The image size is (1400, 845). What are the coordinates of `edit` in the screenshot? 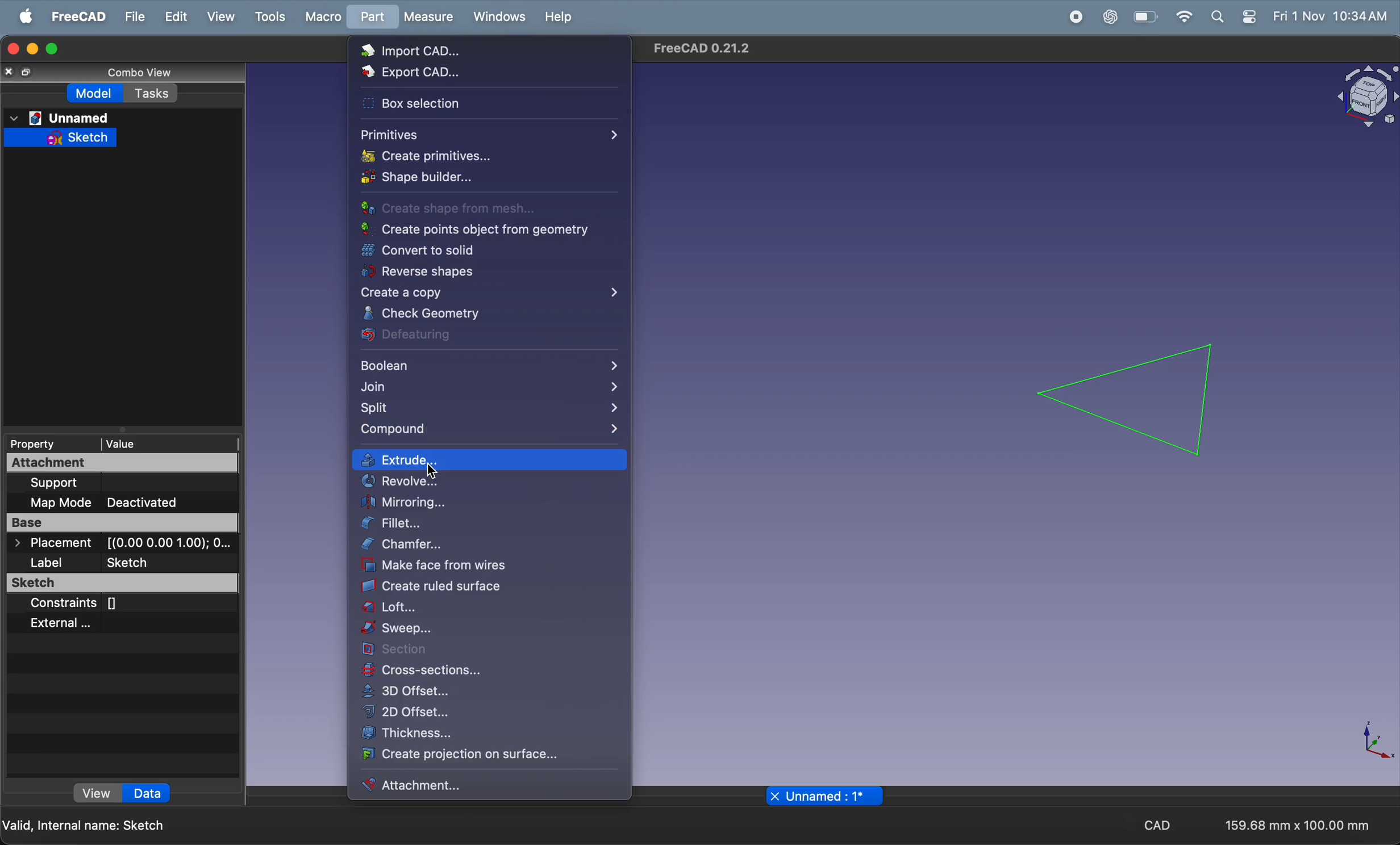 It's located at (177, 15).